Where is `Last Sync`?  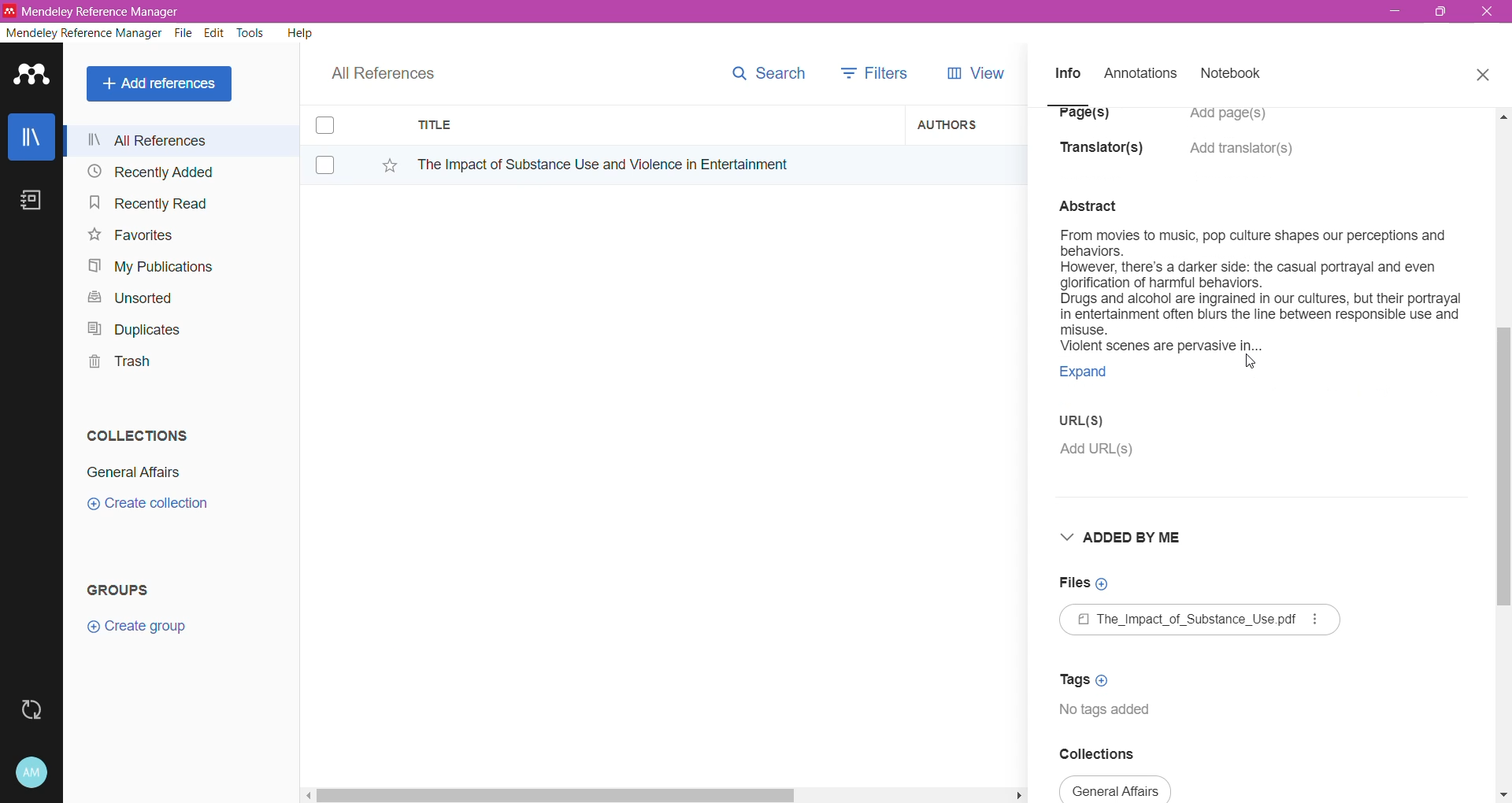 Last Sync is located at coordinates (38, 708).